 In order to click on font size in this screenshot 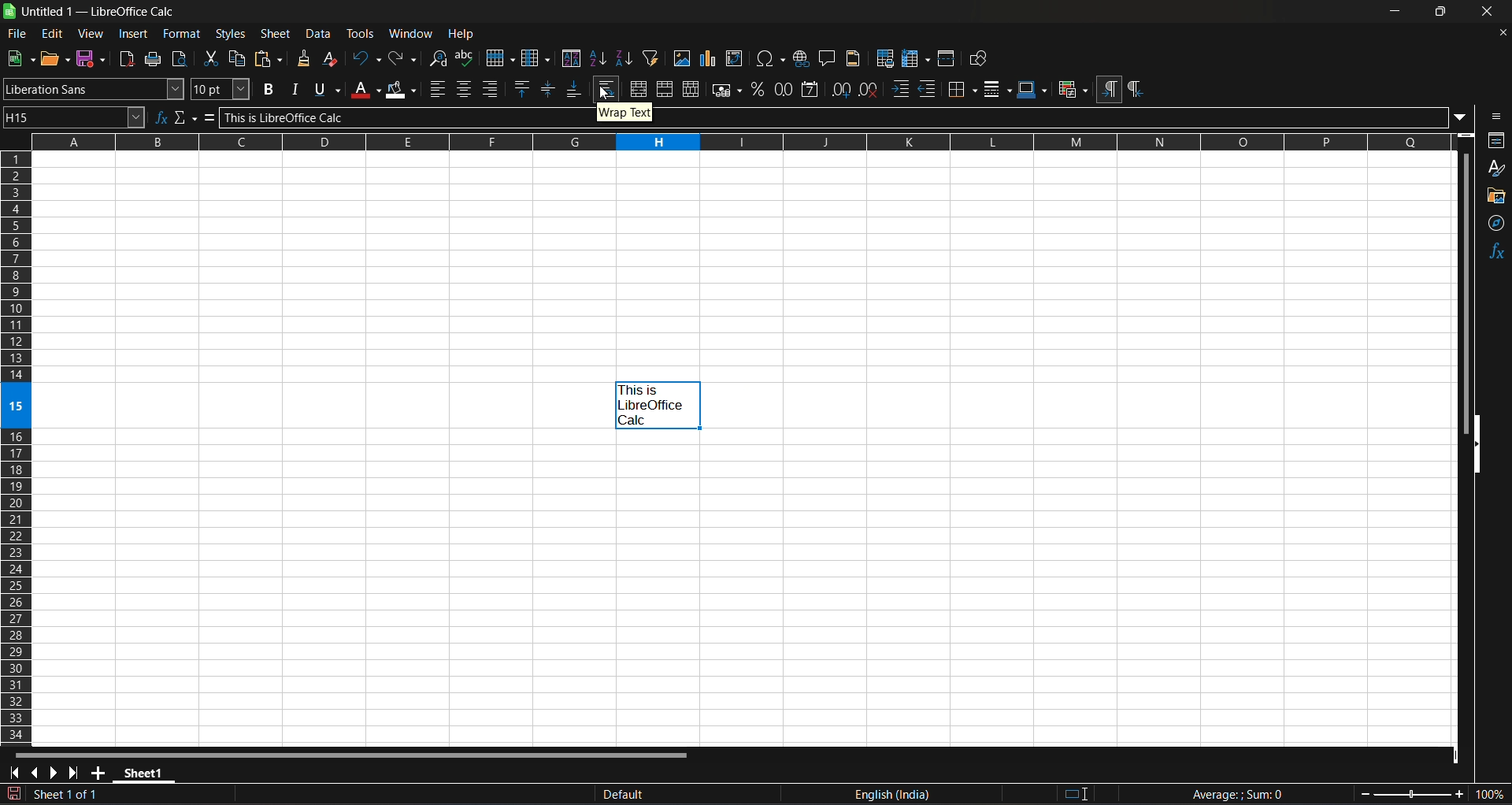, I will do `click(221, 88)`.